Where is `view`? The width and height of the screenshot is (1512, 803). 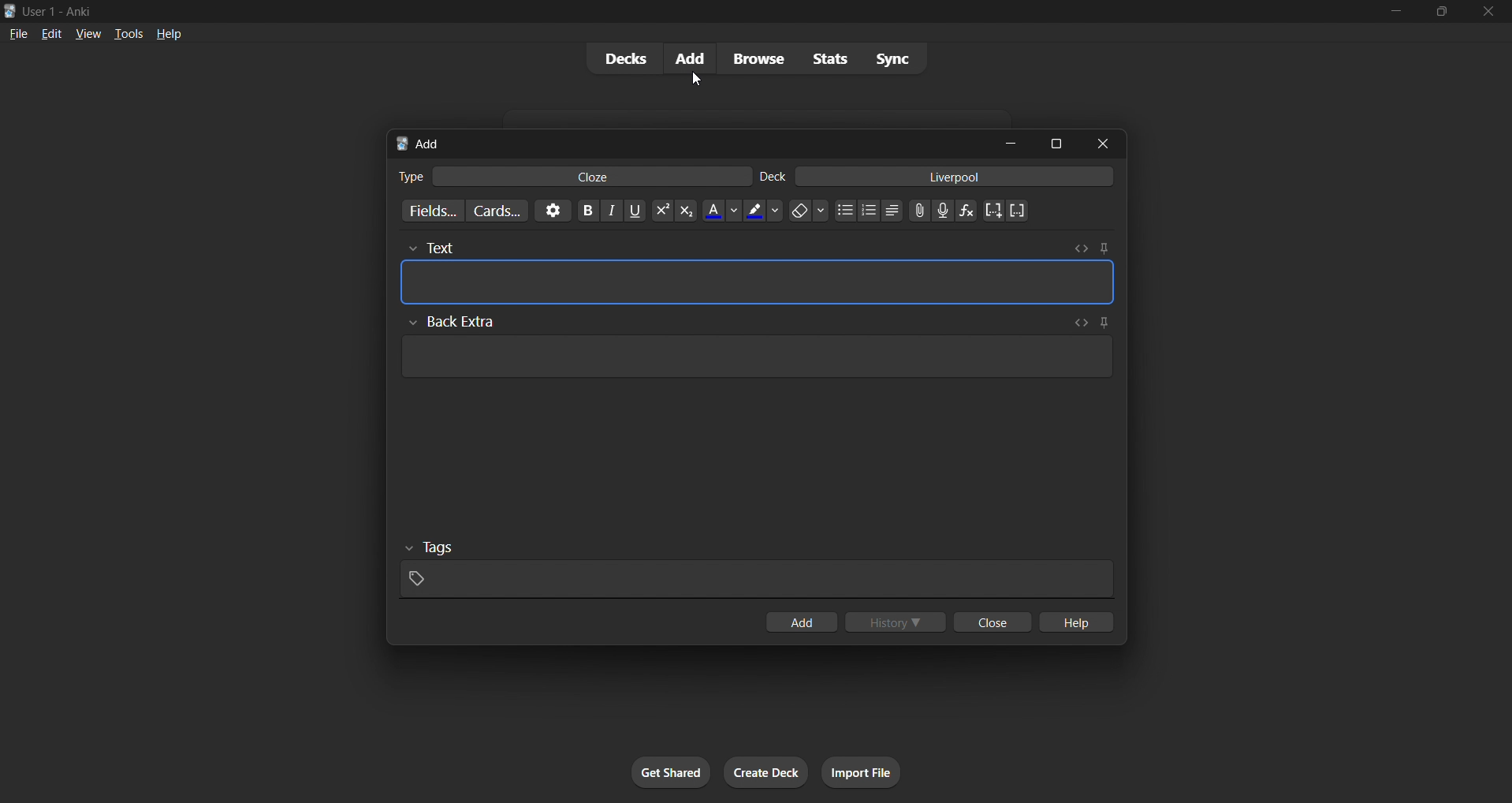
view is located at coordinates (88, 35).